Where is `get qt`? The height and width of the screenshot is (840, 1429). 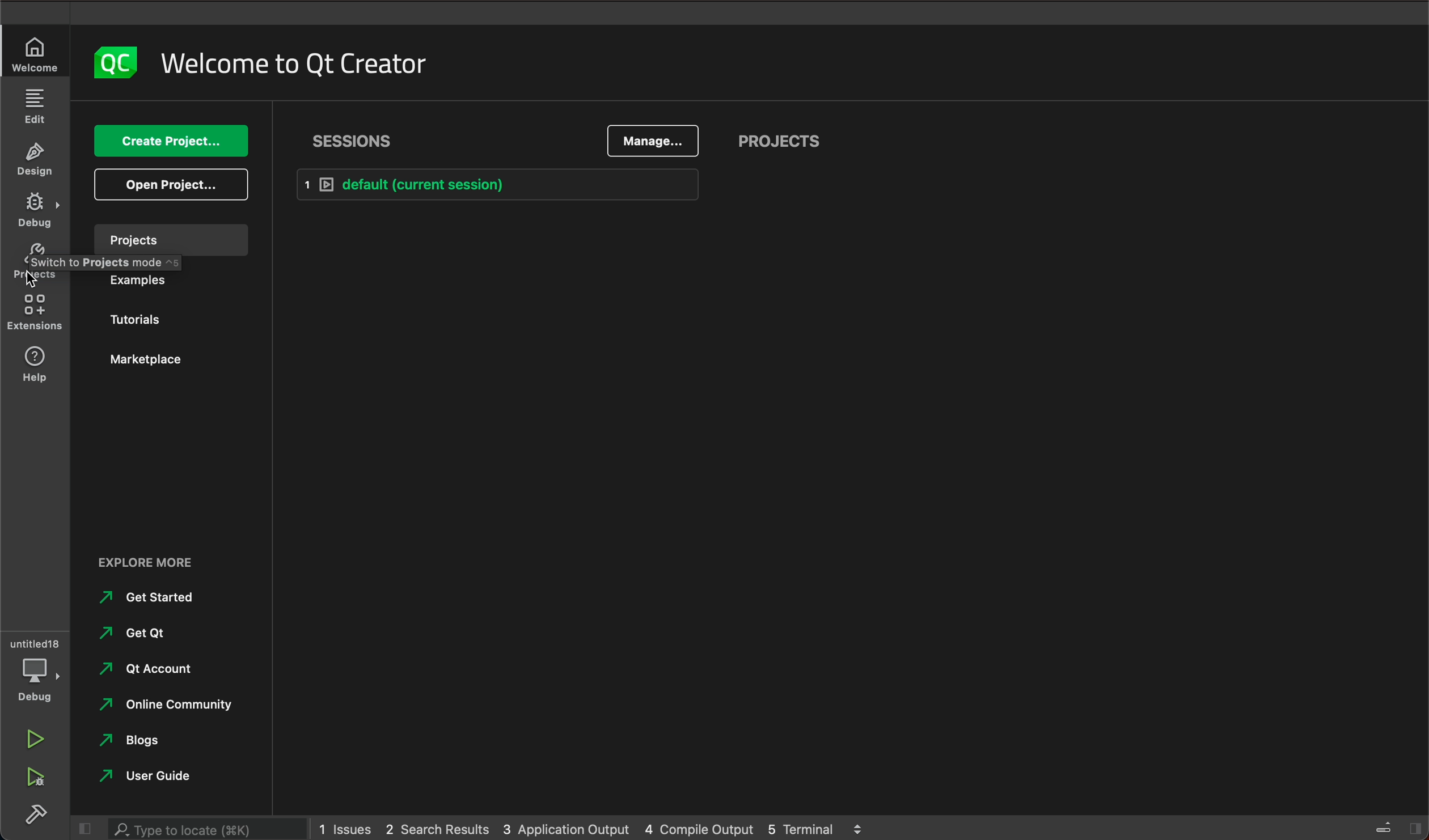
get qt is located at coordinates (138, 634).